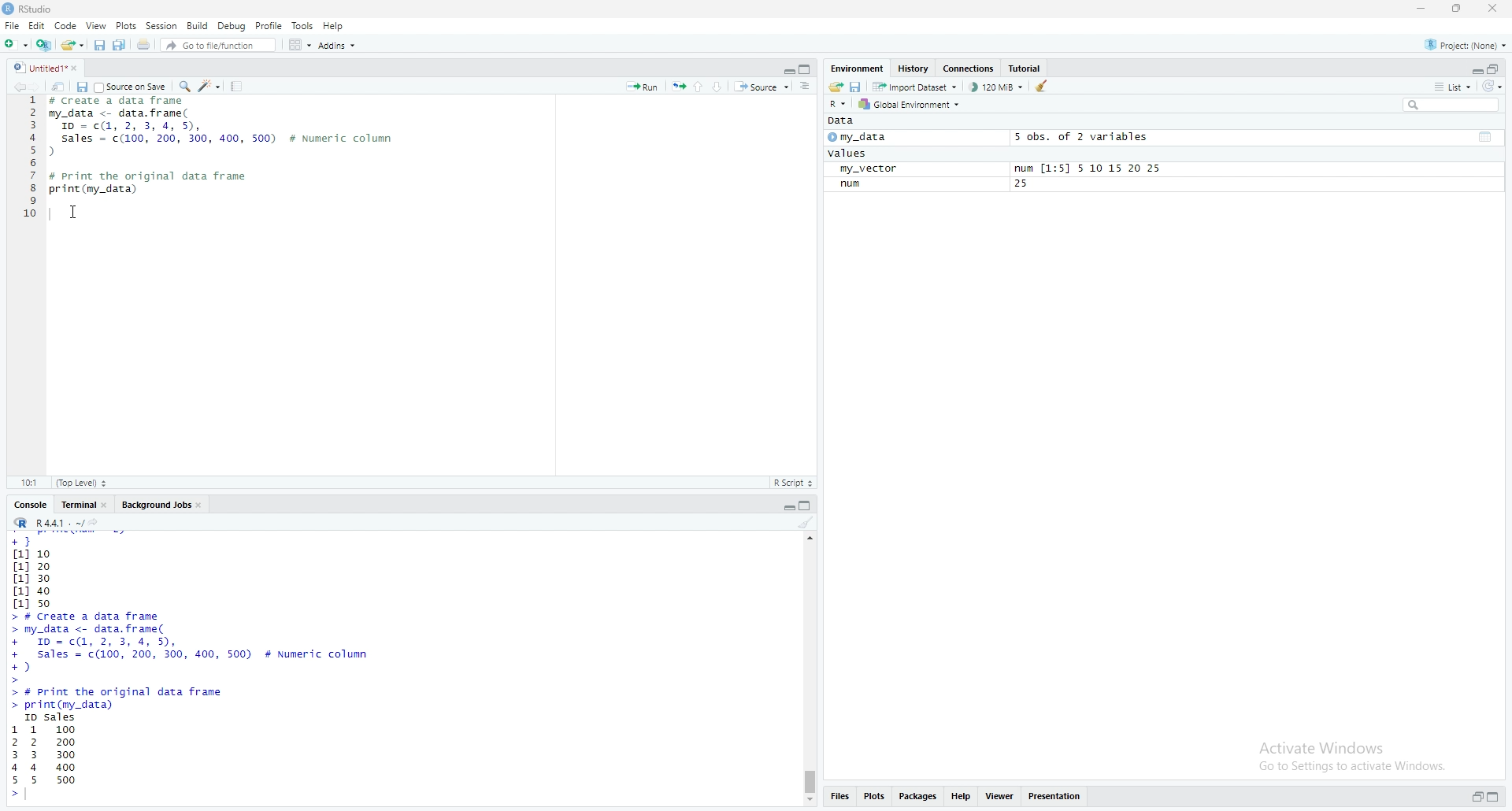 The height and width of the screenshot is (811, 1512). What do you see at coordinates (838, 104) in the screenshot?
I see `language change` at bounding box center [838, 104].